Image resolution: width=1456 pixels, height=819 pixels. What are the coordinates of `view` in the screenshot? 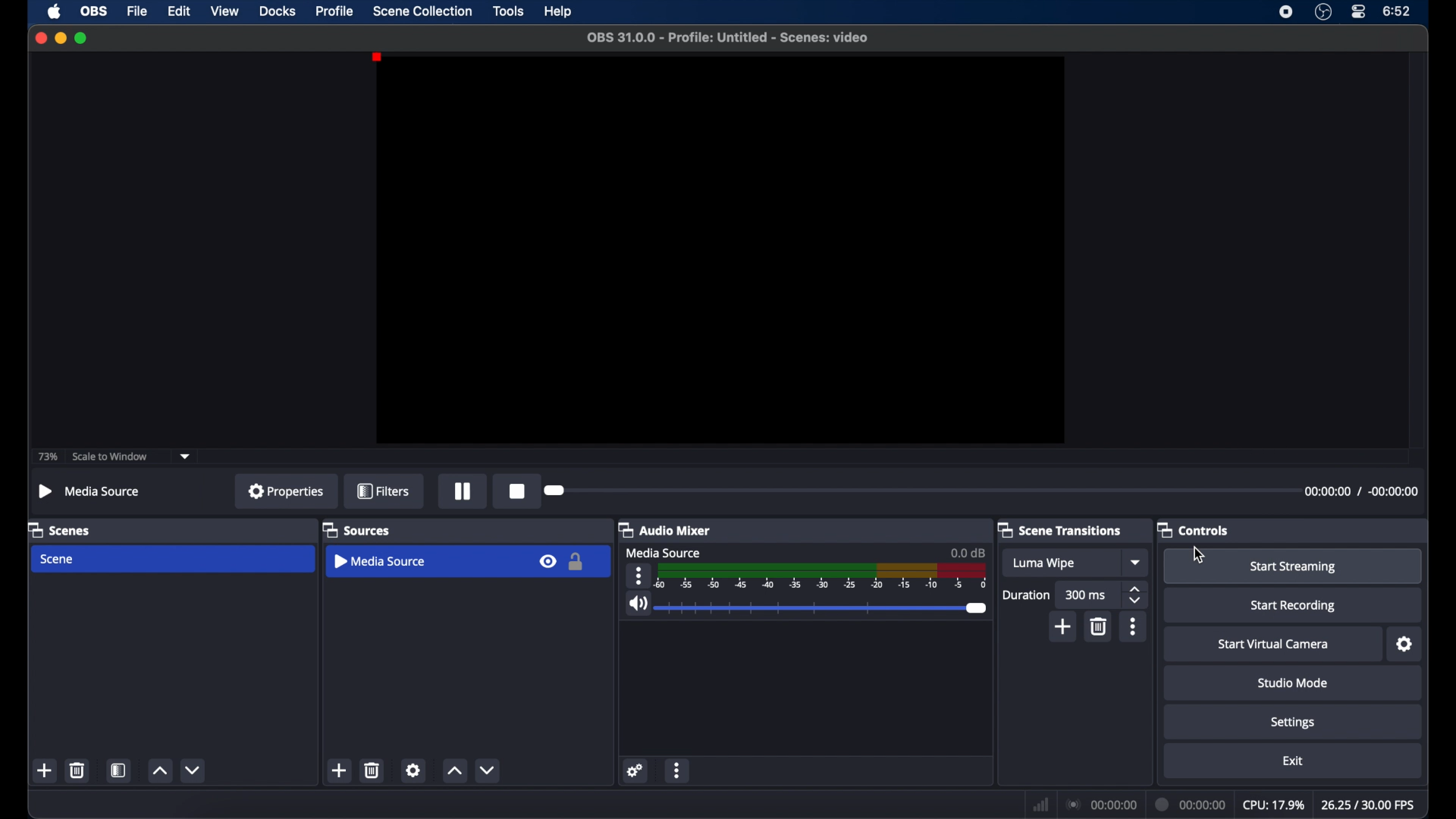 It's located at (224, 11).